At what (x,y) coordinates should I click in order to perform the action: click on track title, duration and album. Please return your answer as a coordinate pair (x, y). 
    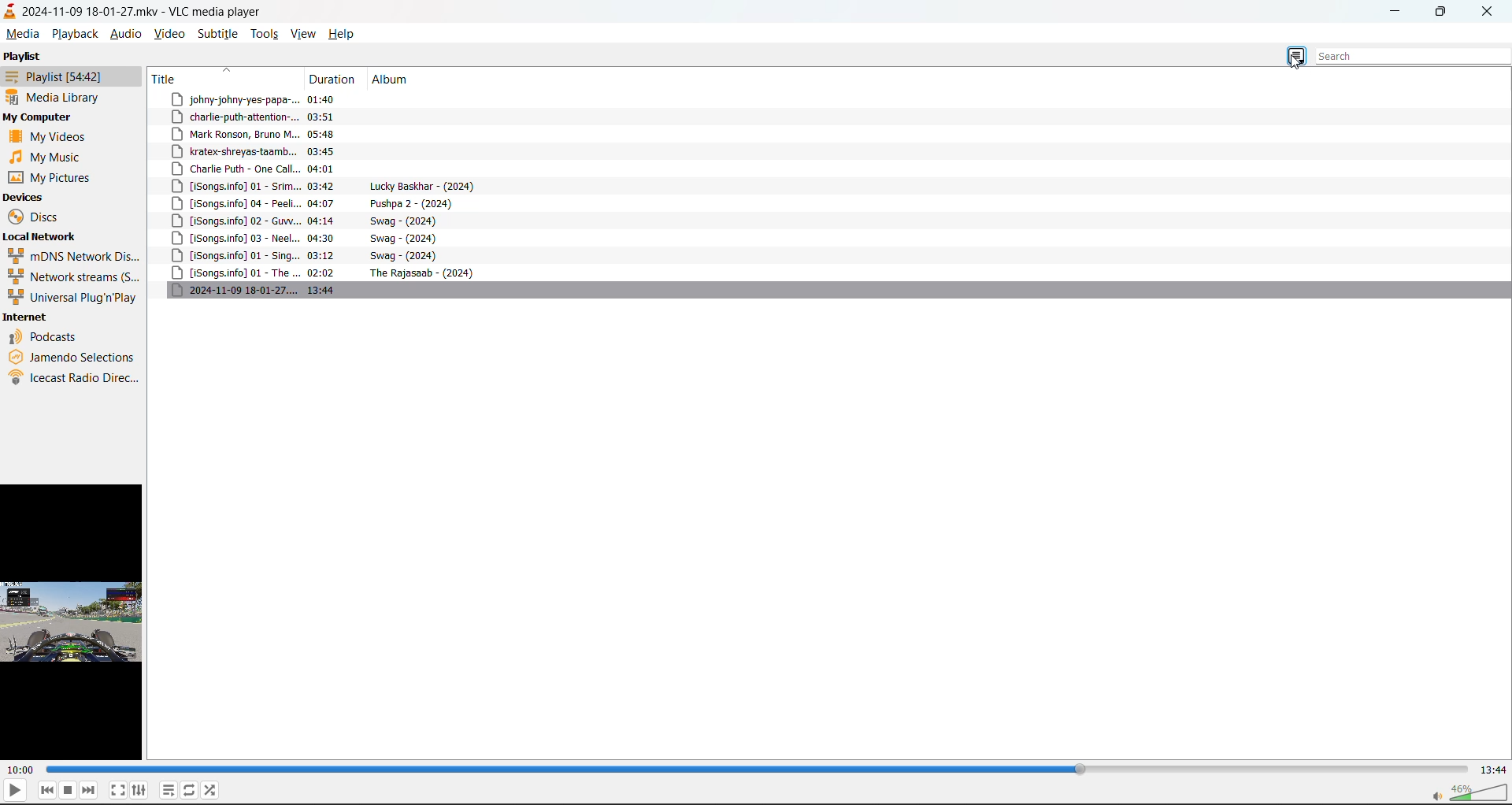
    Looking at the image, I should click on (314, 169).